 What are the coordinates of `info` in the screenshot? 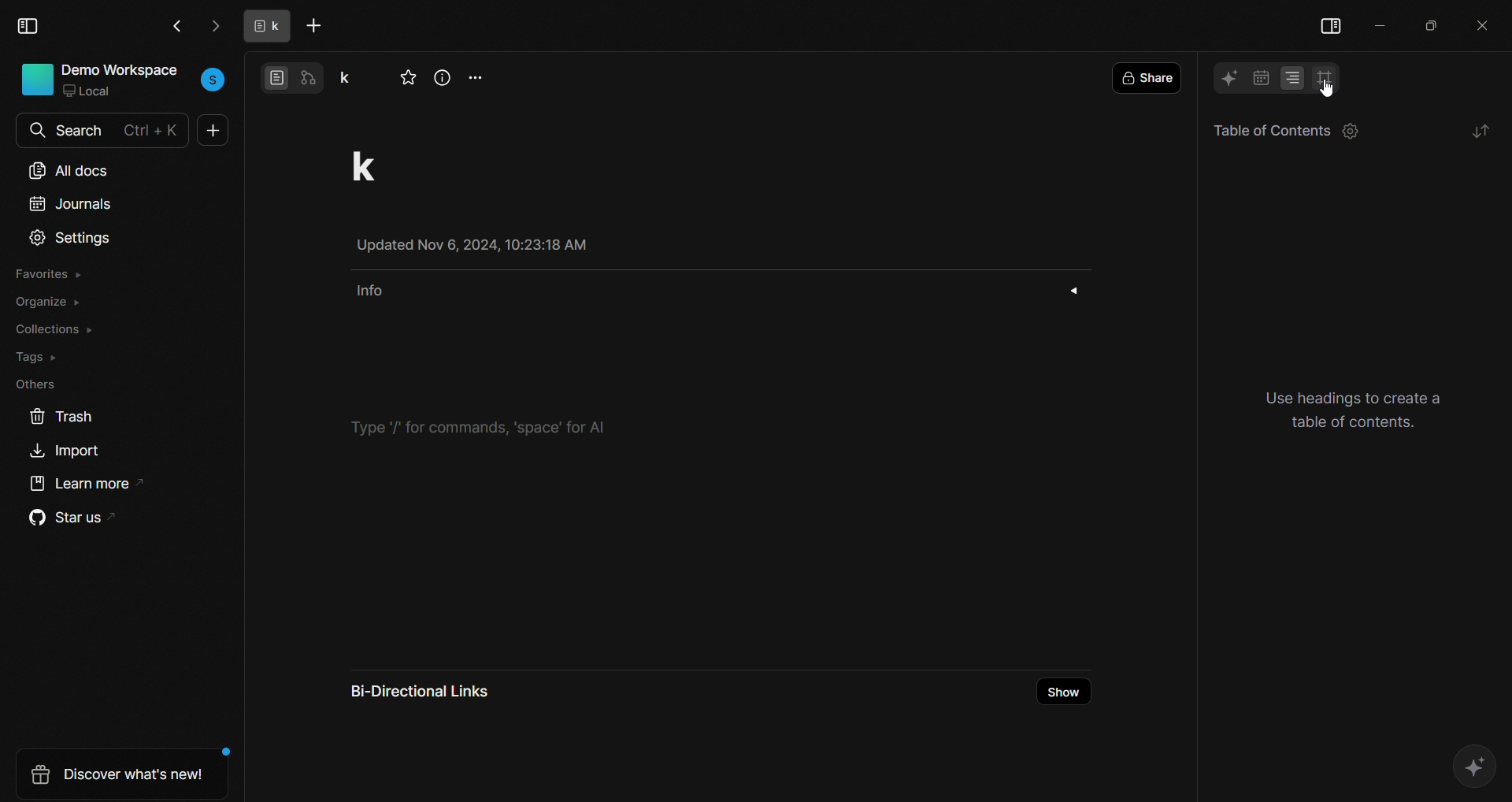 It's located at (714, 290).